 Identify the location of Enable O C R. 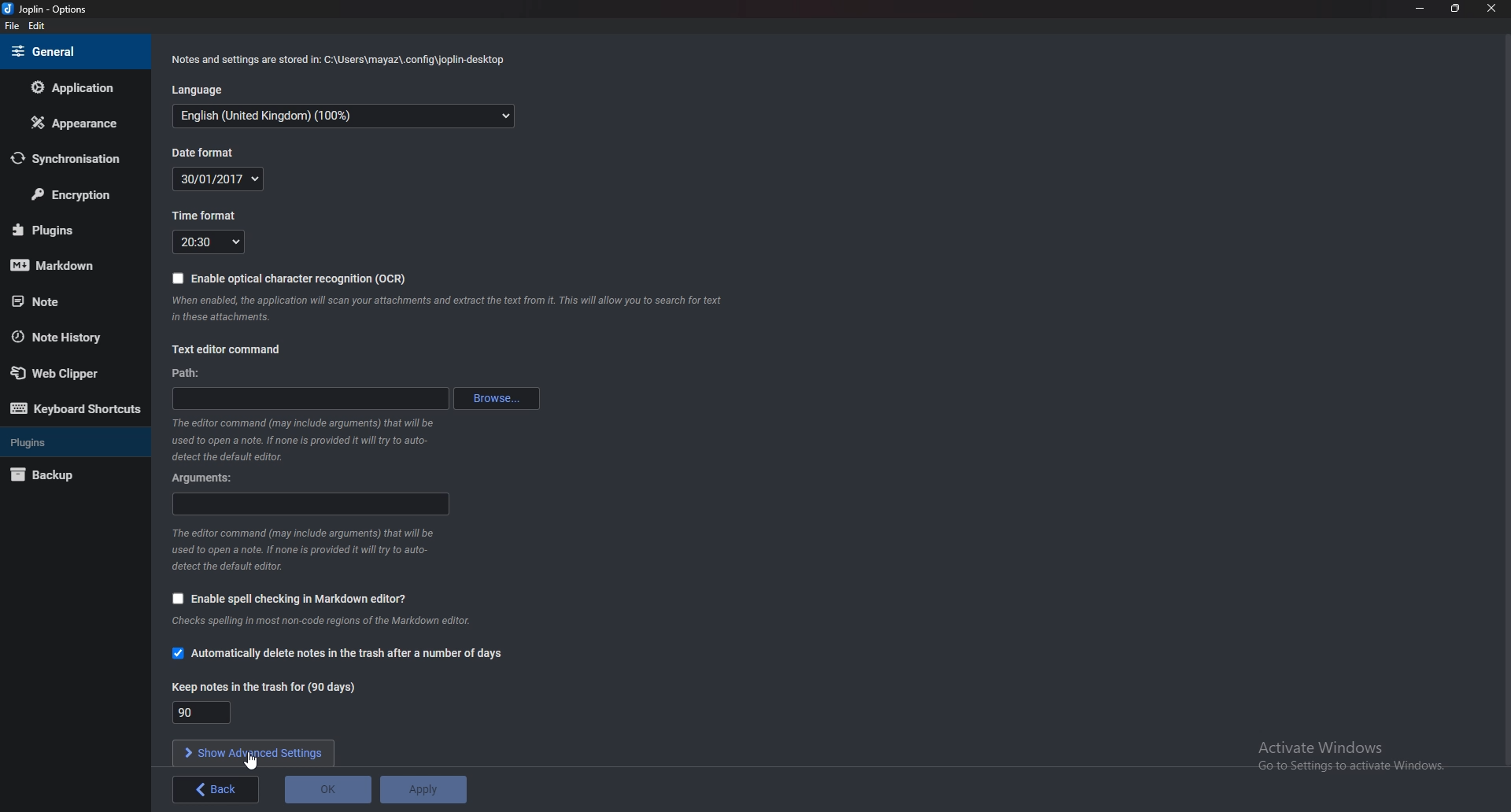
(292, 280).